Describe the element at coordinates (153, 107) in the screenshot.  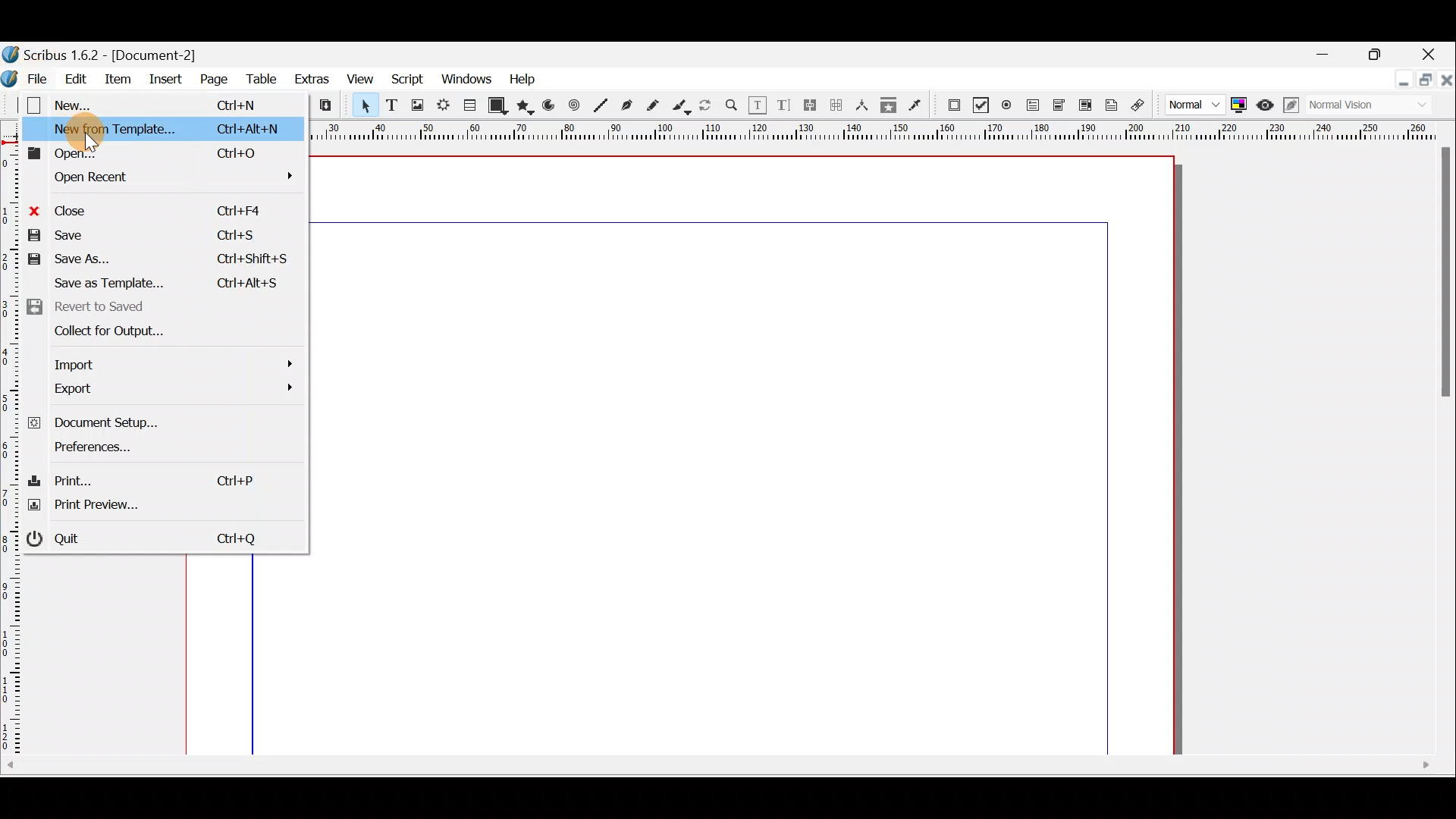
I see `New` at that location.